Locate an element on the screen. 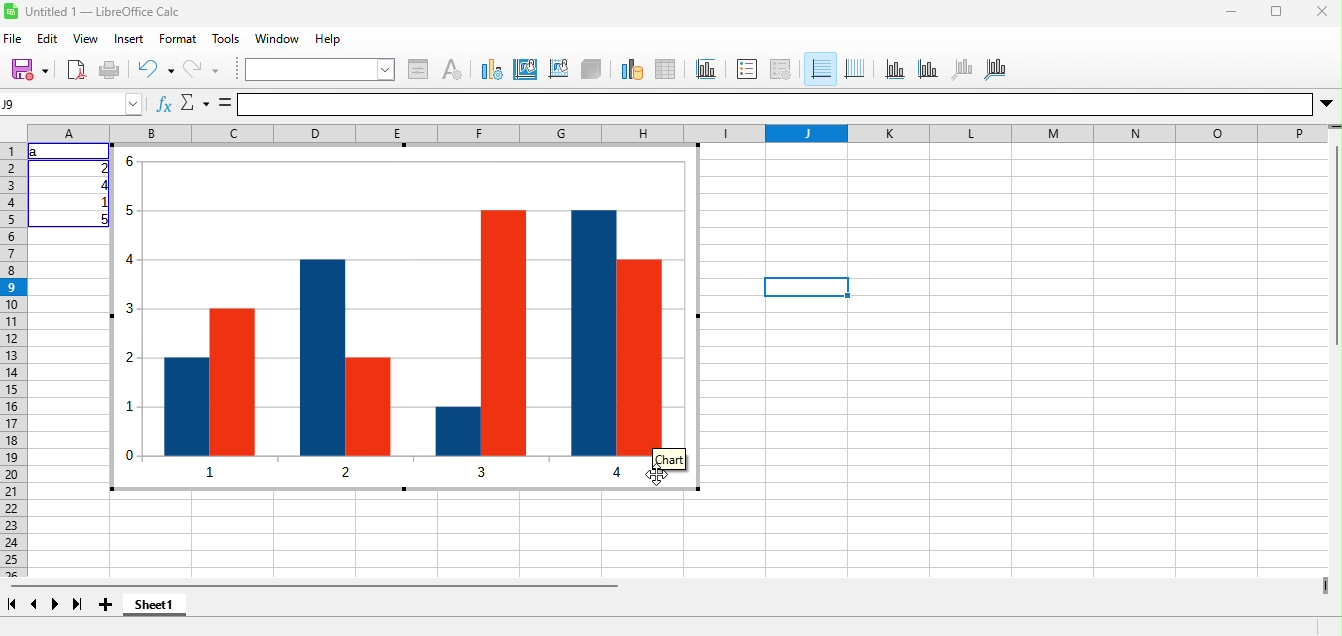 The height and width of the screenshot is (636, 1342). a is located at coordinates (36, 151).